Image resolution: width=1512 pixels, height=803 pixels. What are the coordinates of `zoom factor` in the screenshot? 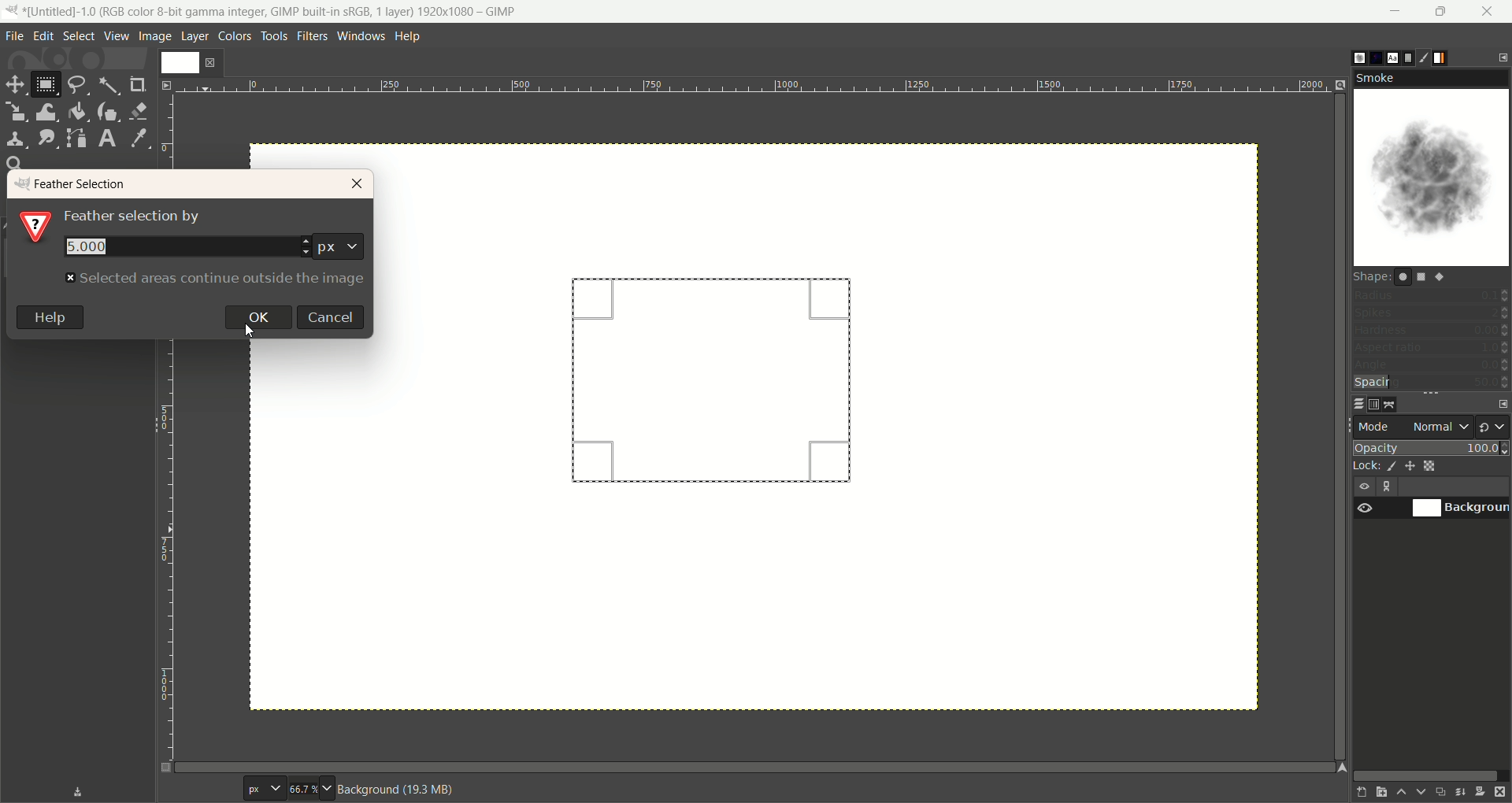 It's located at (309, 788).